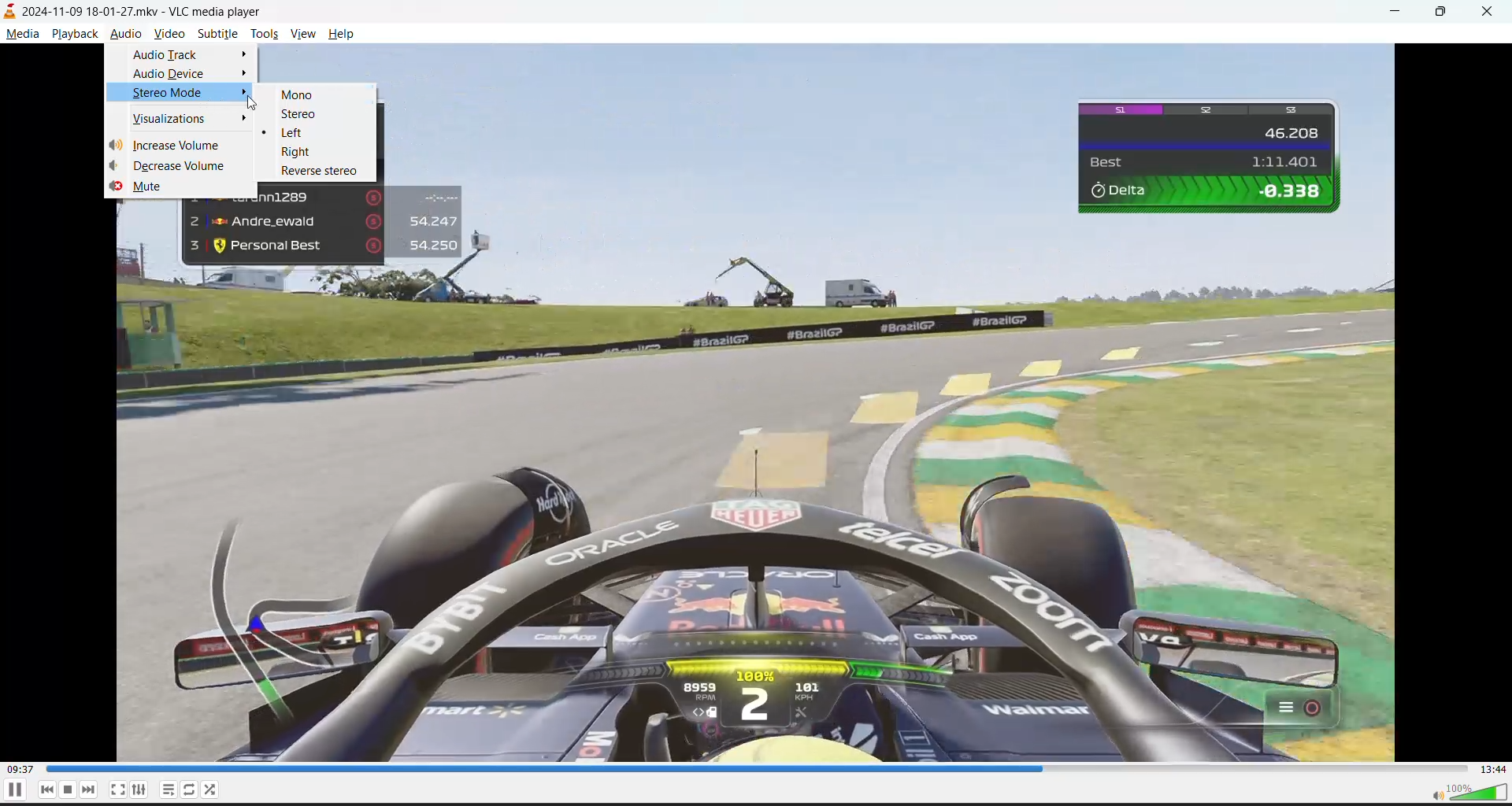  Describe the element at coordinates (87, 790) in the screenshot. I see `next` at that location.